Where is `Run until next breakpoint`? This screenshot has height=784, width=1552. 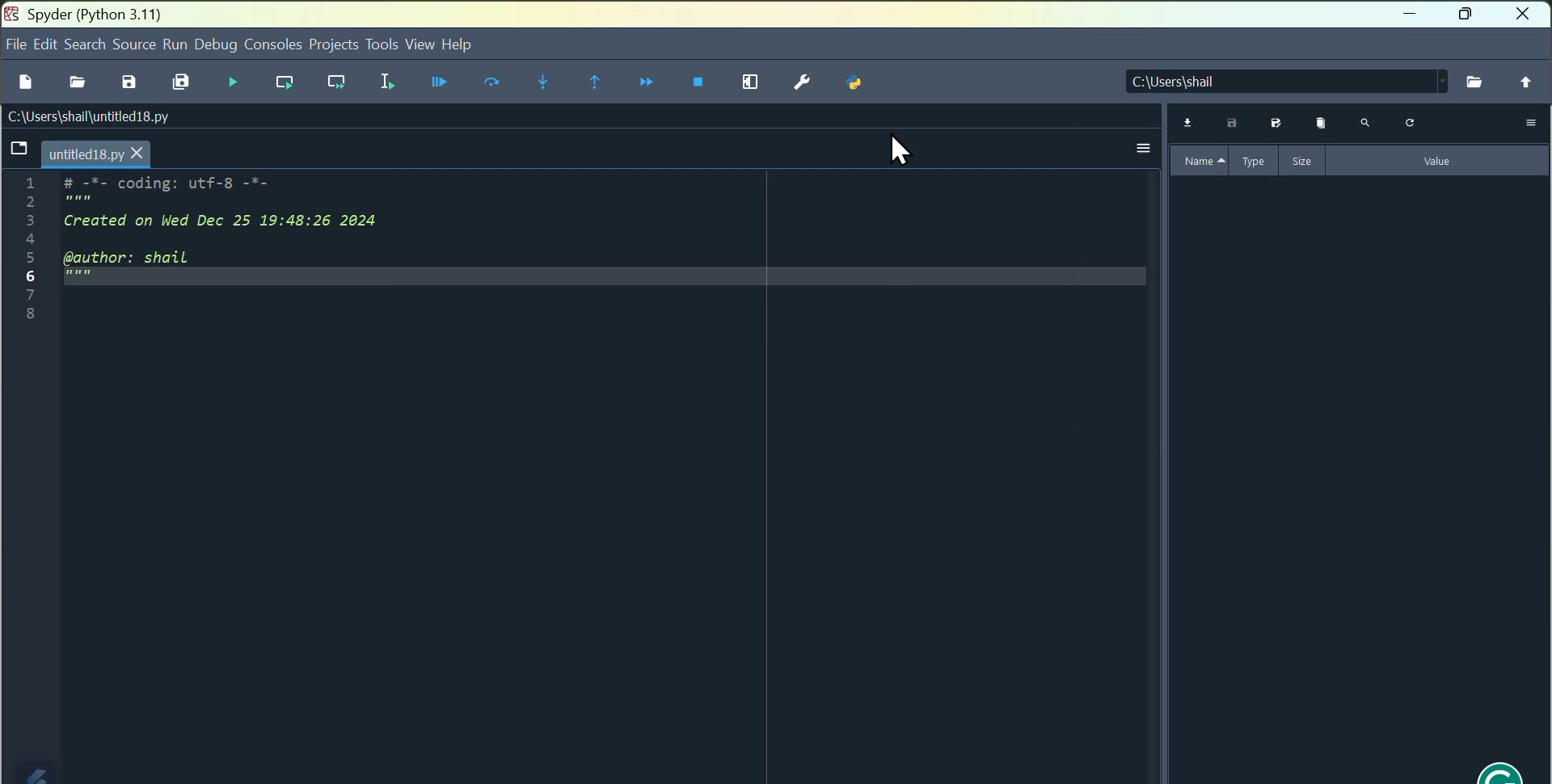 Run until next breakpoint is located at coordinates (595, 85).